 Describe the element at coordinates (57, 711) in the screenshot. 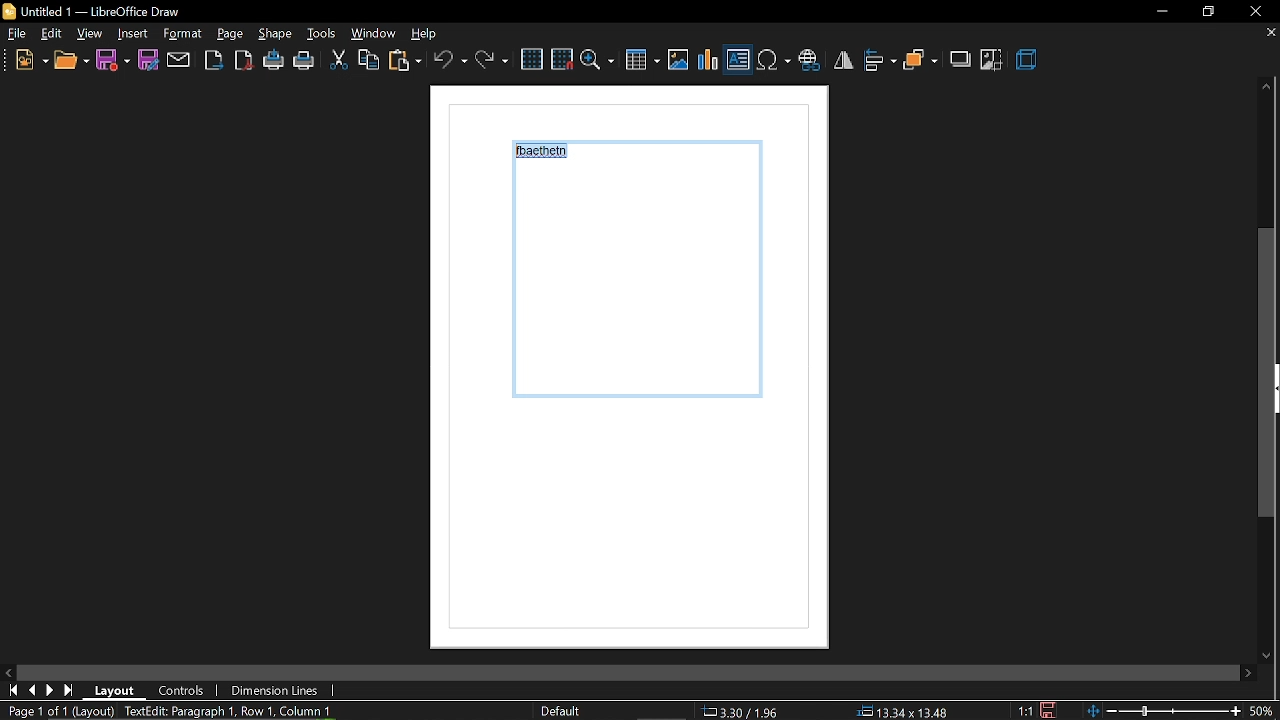

I see `Page 1 of 1 (Layout)` at that location.